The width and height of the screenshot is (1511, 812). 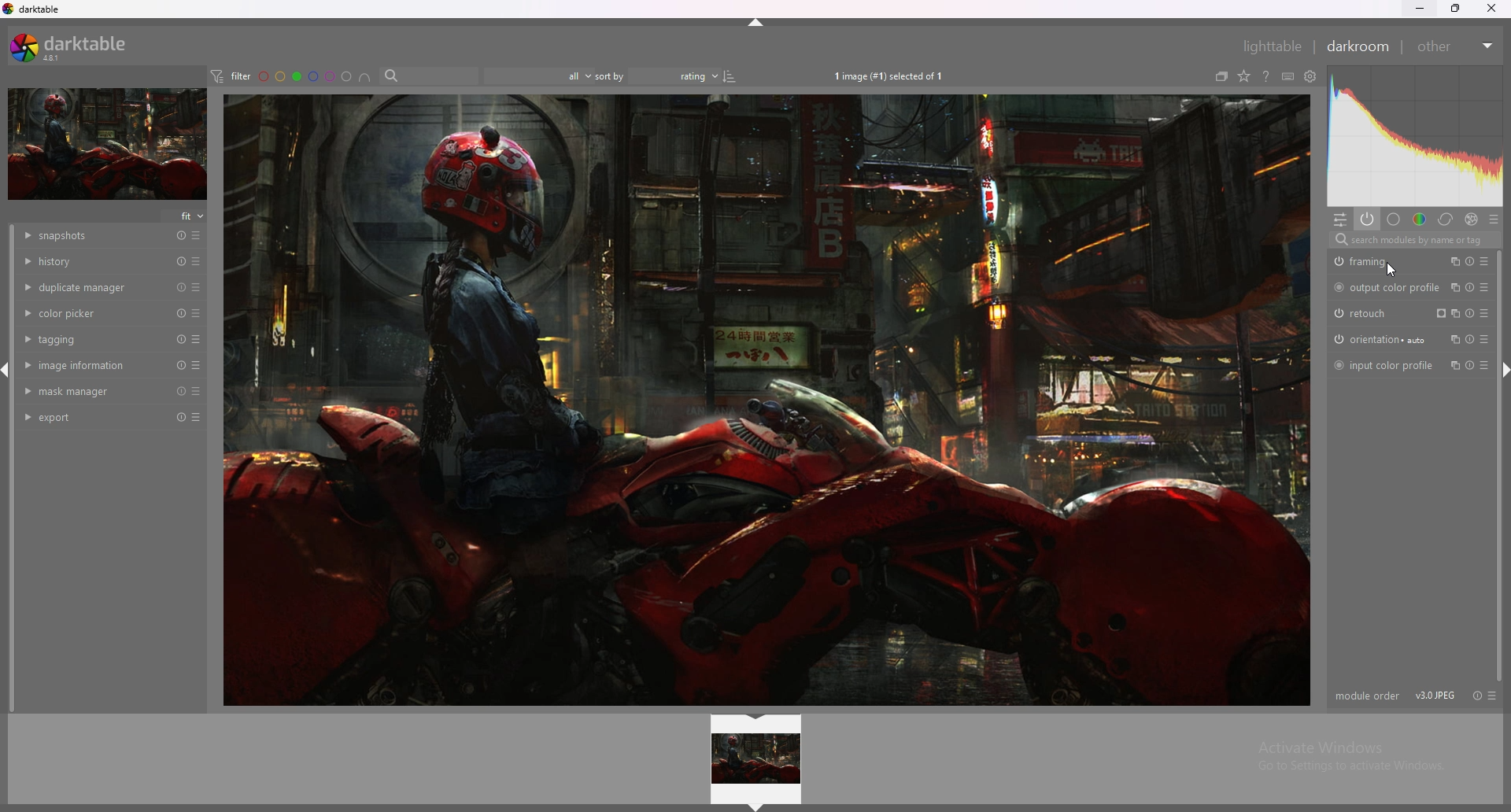 What do you see at coordinates (230, 76) in the screenshot?
I see `filter` at bounding box center [230, 76].